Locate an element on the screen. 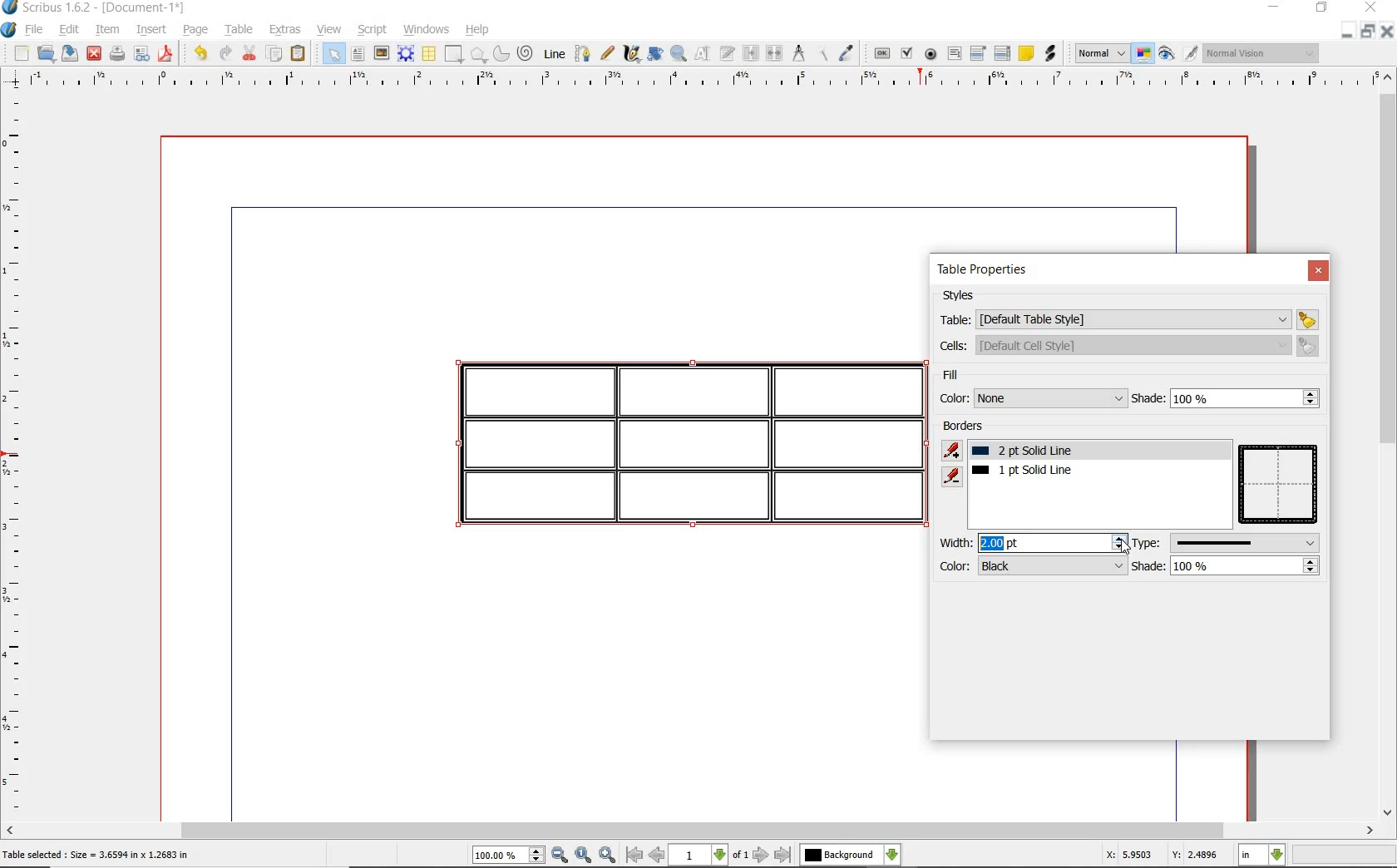  color is located at coordinates (1030, 398).